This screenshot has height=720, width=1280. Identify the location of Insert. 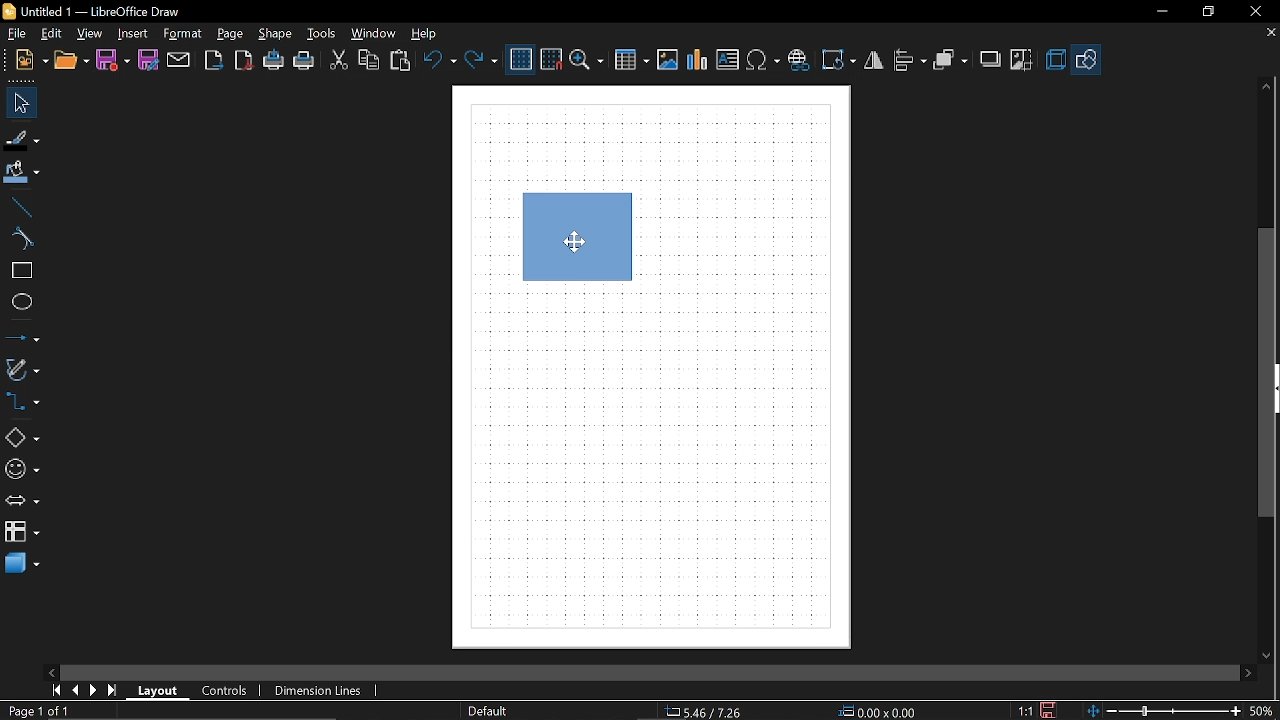
(132, 34).